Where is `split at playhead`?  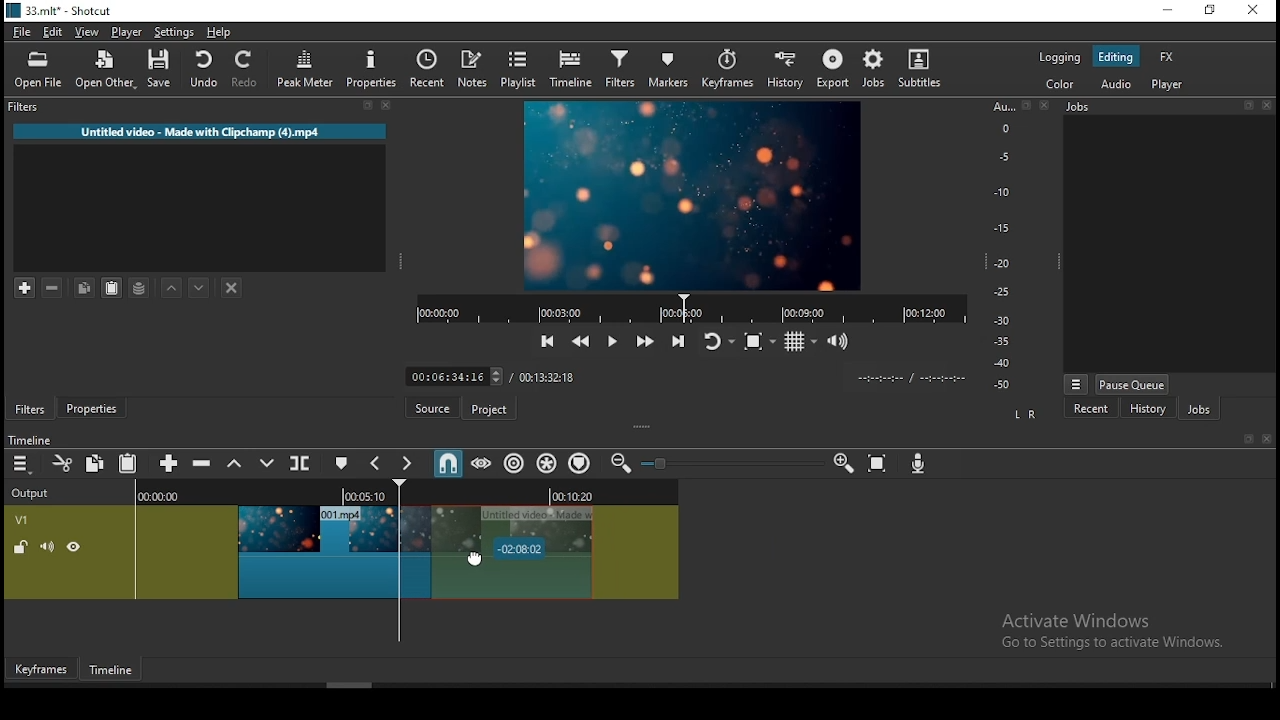
split at playhead is located at coordinates (433, 71).